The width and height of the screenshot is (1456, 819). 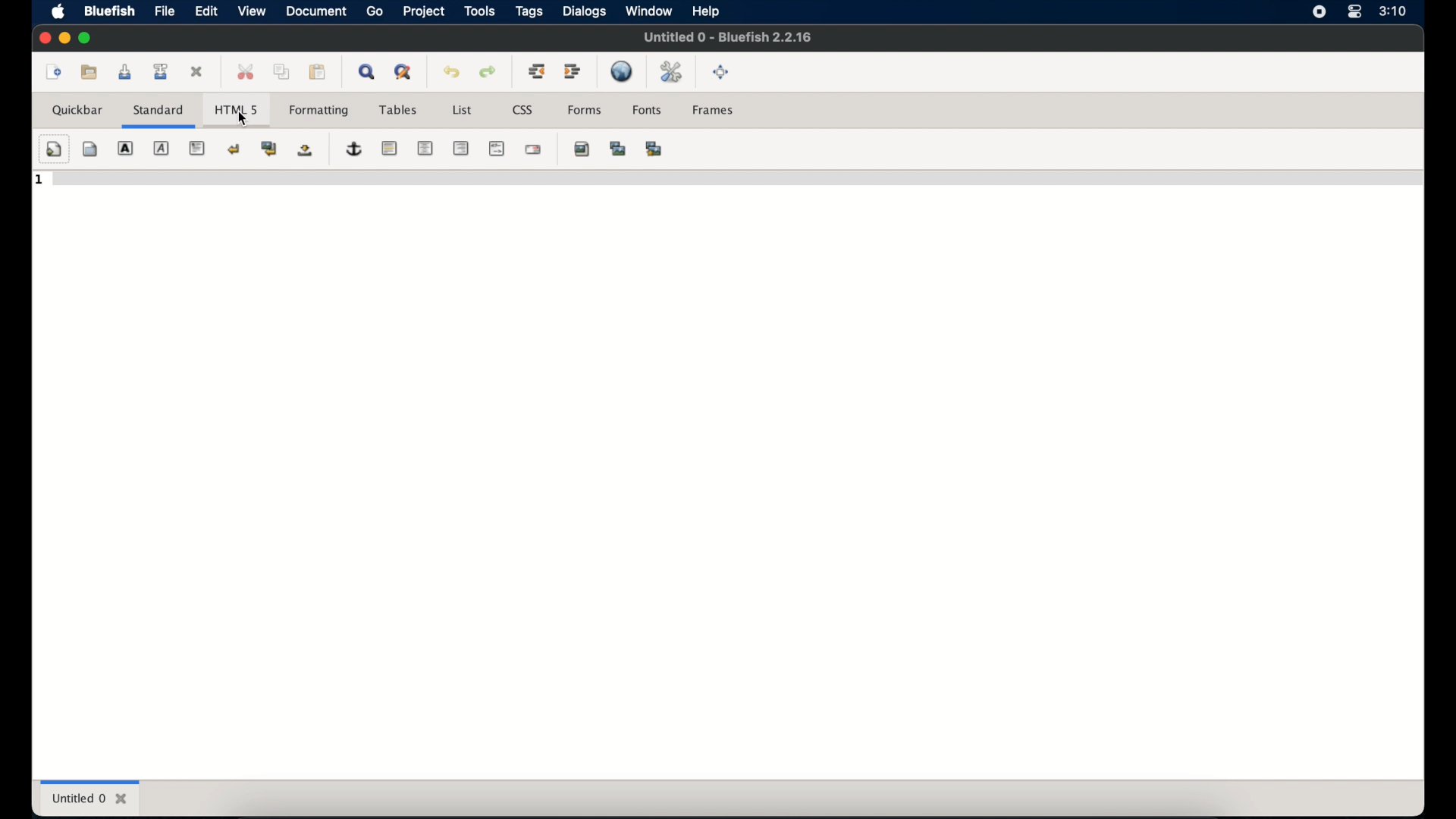 I want to click on dialogs, so click(x=584, y=11).